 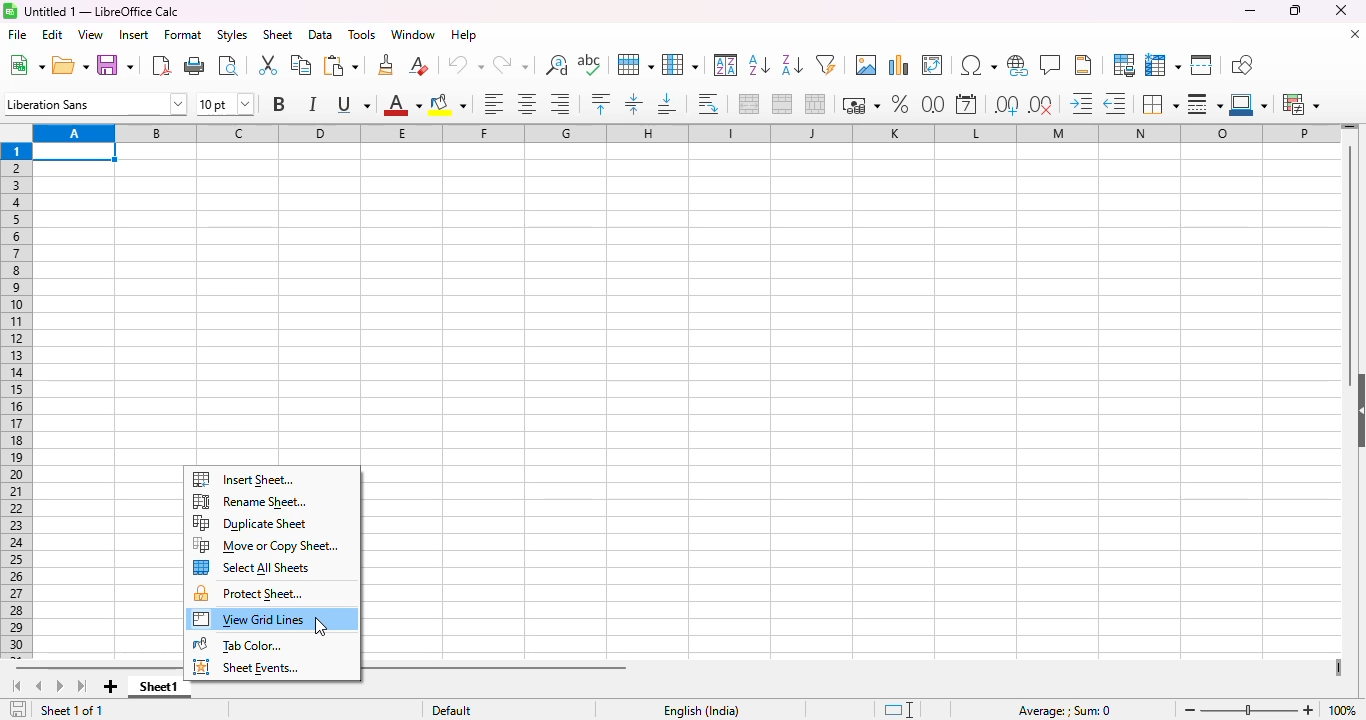 I want to click on insert, so click(x=134, y=34).